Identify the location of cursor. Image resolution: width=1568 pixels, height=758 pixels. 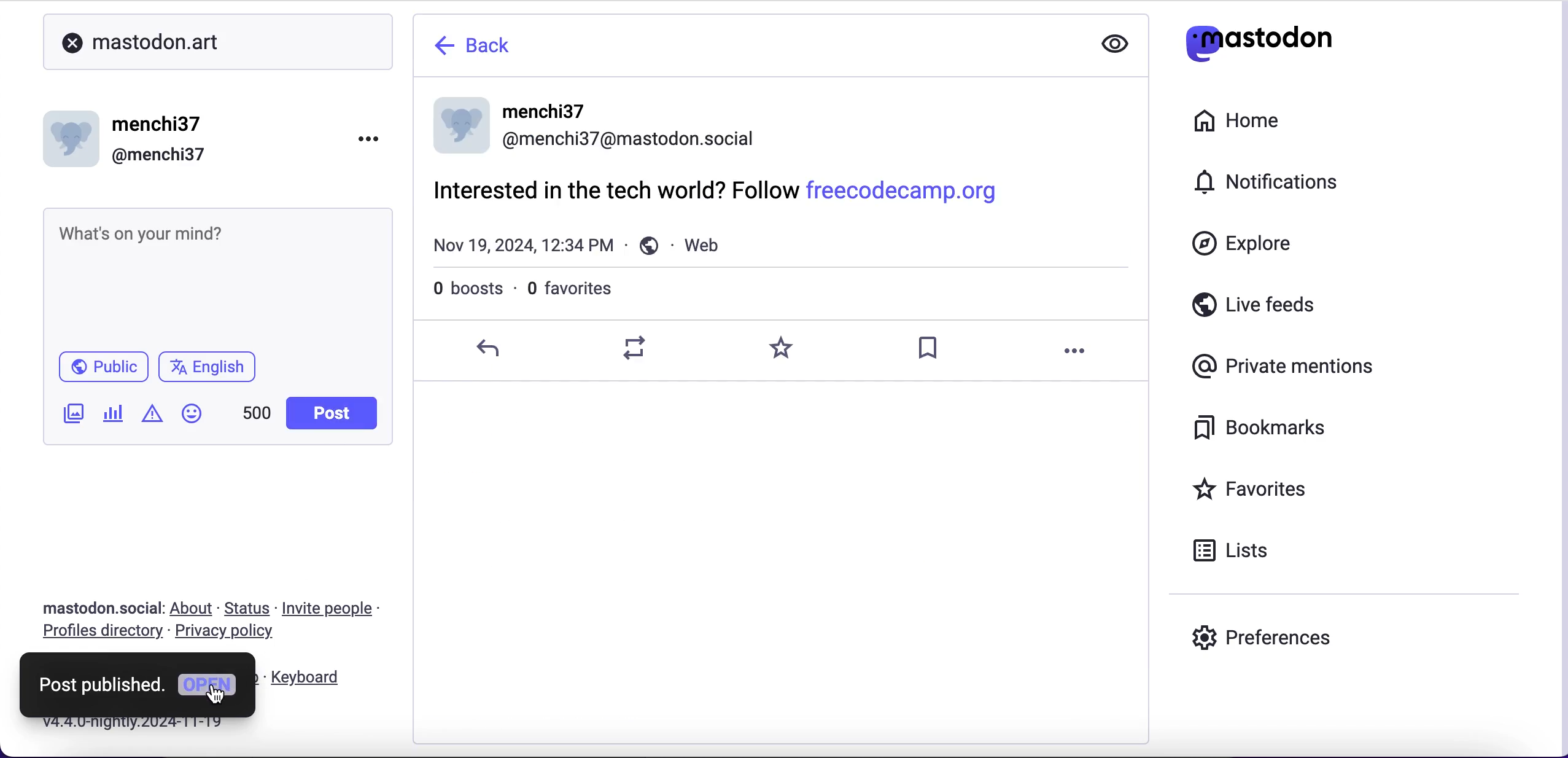
(219, 694).